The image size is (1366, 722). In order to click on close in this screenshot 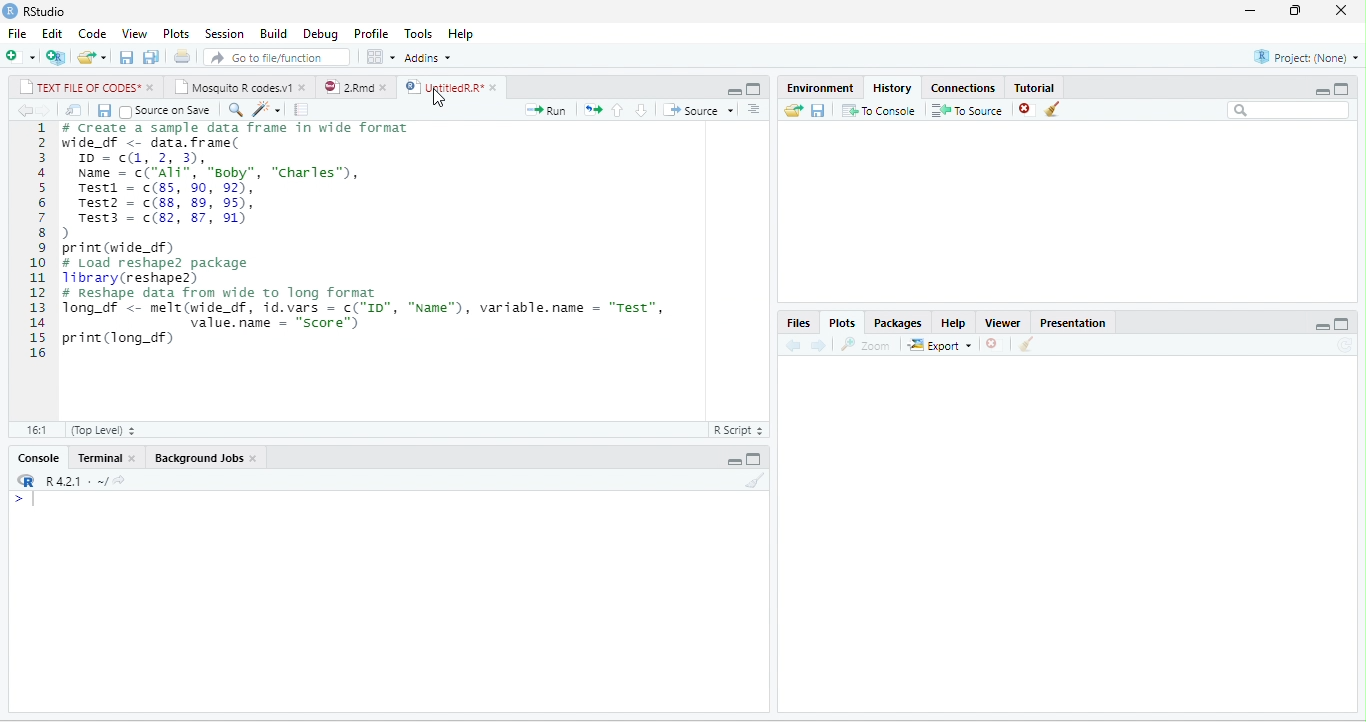, I will do `click(134, 458)`.